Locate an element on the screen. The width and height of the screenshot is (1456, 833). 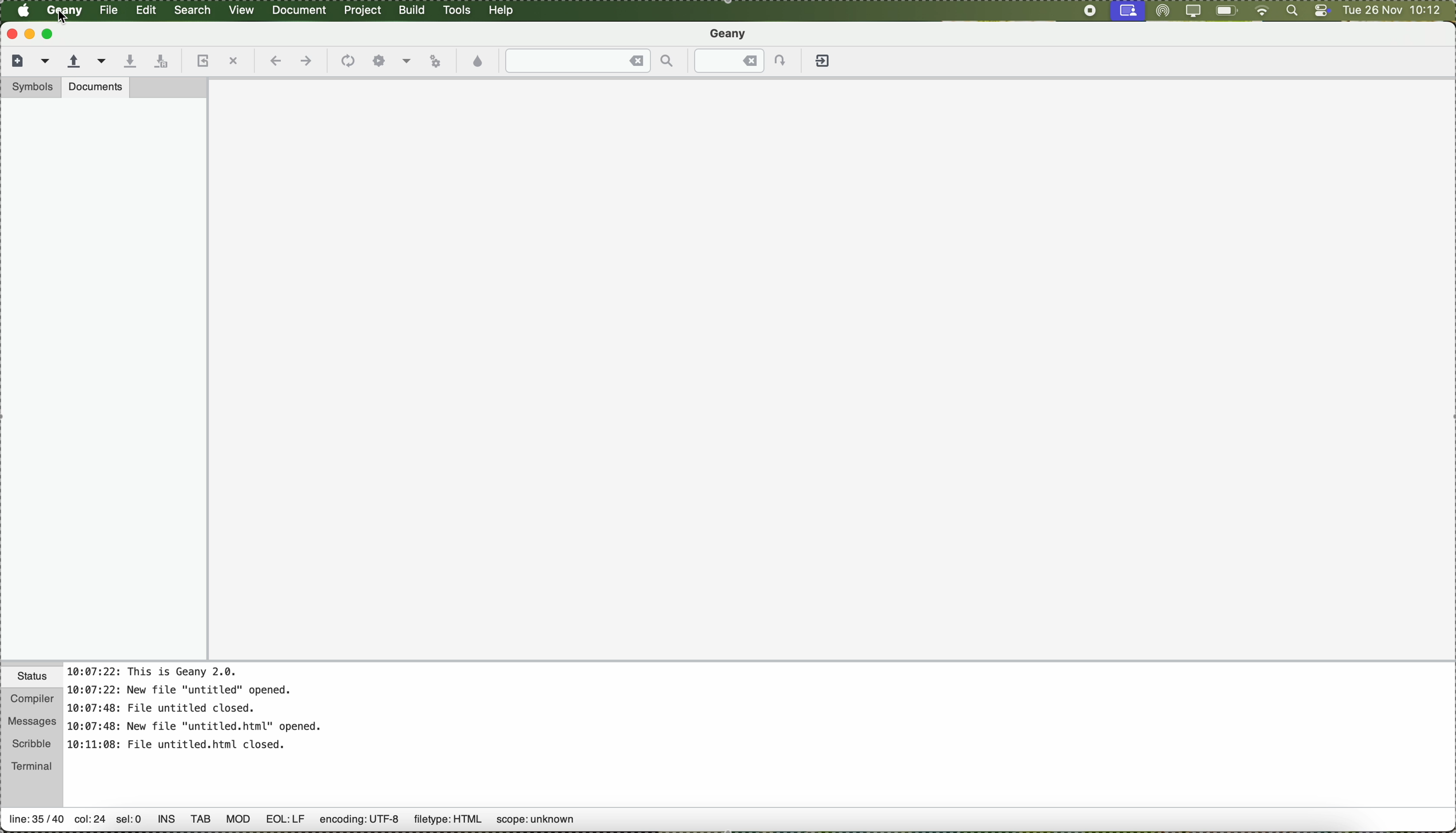
compile the current file is located at coordinates (347, 62).